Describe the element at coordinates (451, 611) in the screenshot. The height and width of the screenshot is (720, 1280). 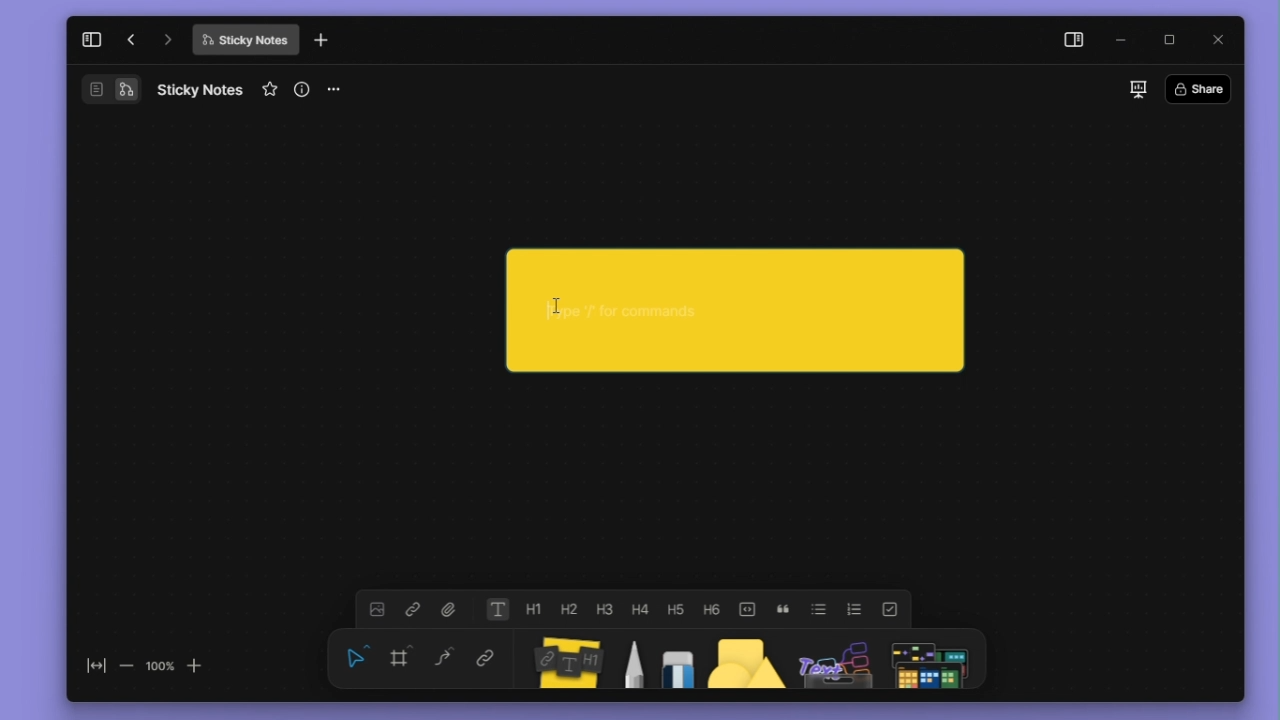
I see `attachment` at that location.